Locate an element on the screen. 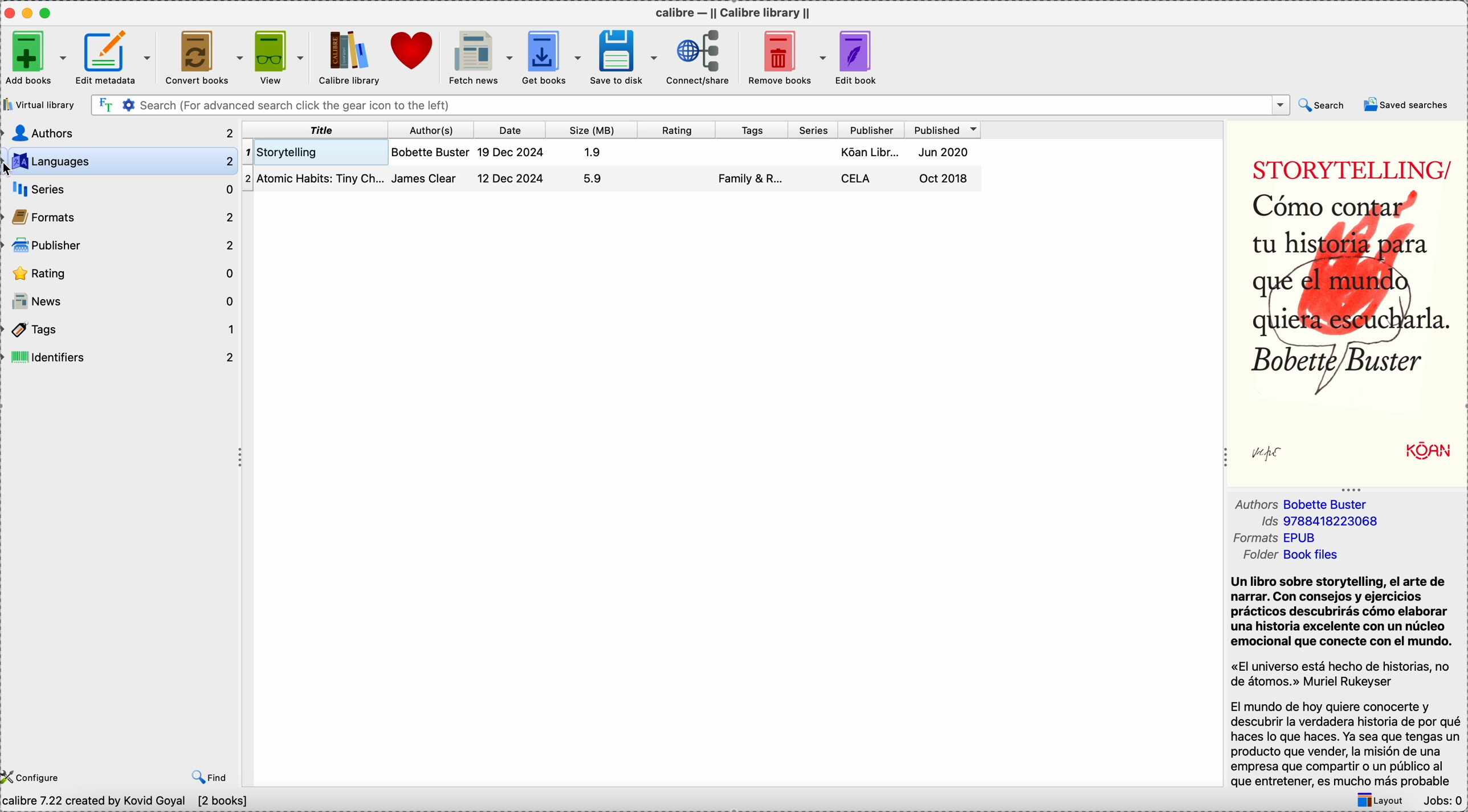  rating is located at coordinates (675, 130).